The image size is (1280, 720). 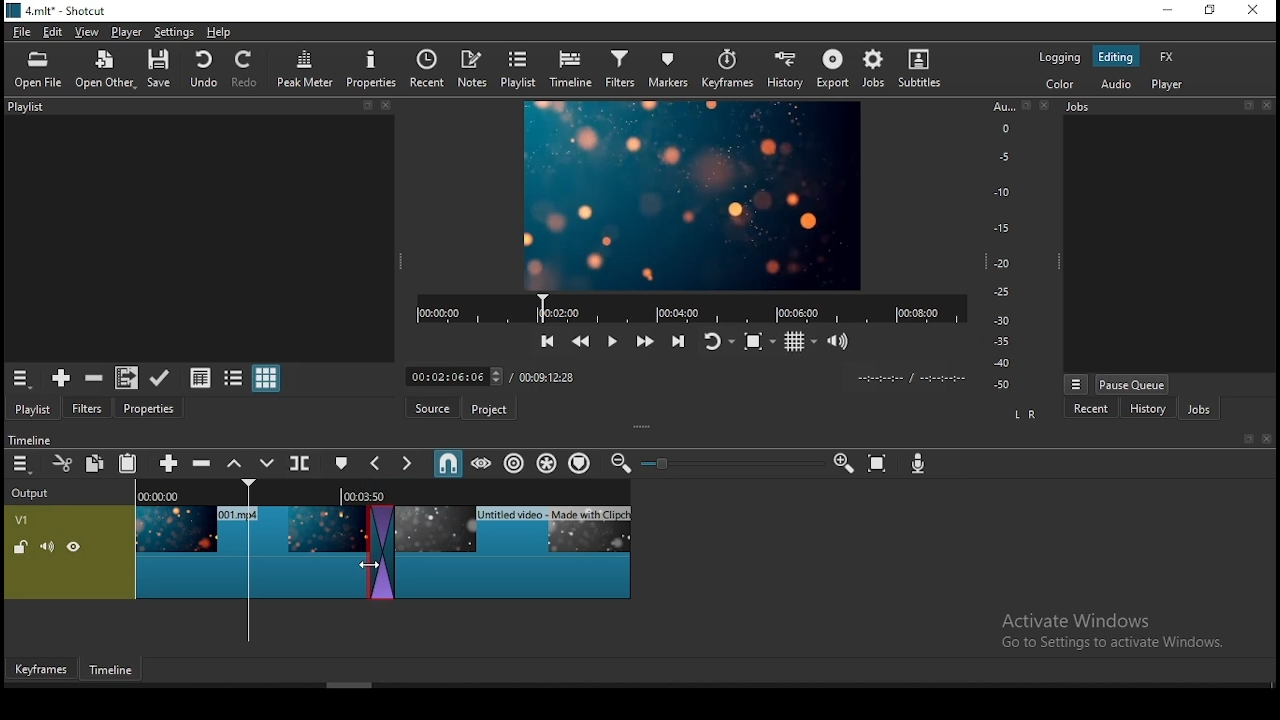 What do you see at coordinates (579, 339) in the screenshot?
I see `play quickly backwards` at bounding box center [579, 339].